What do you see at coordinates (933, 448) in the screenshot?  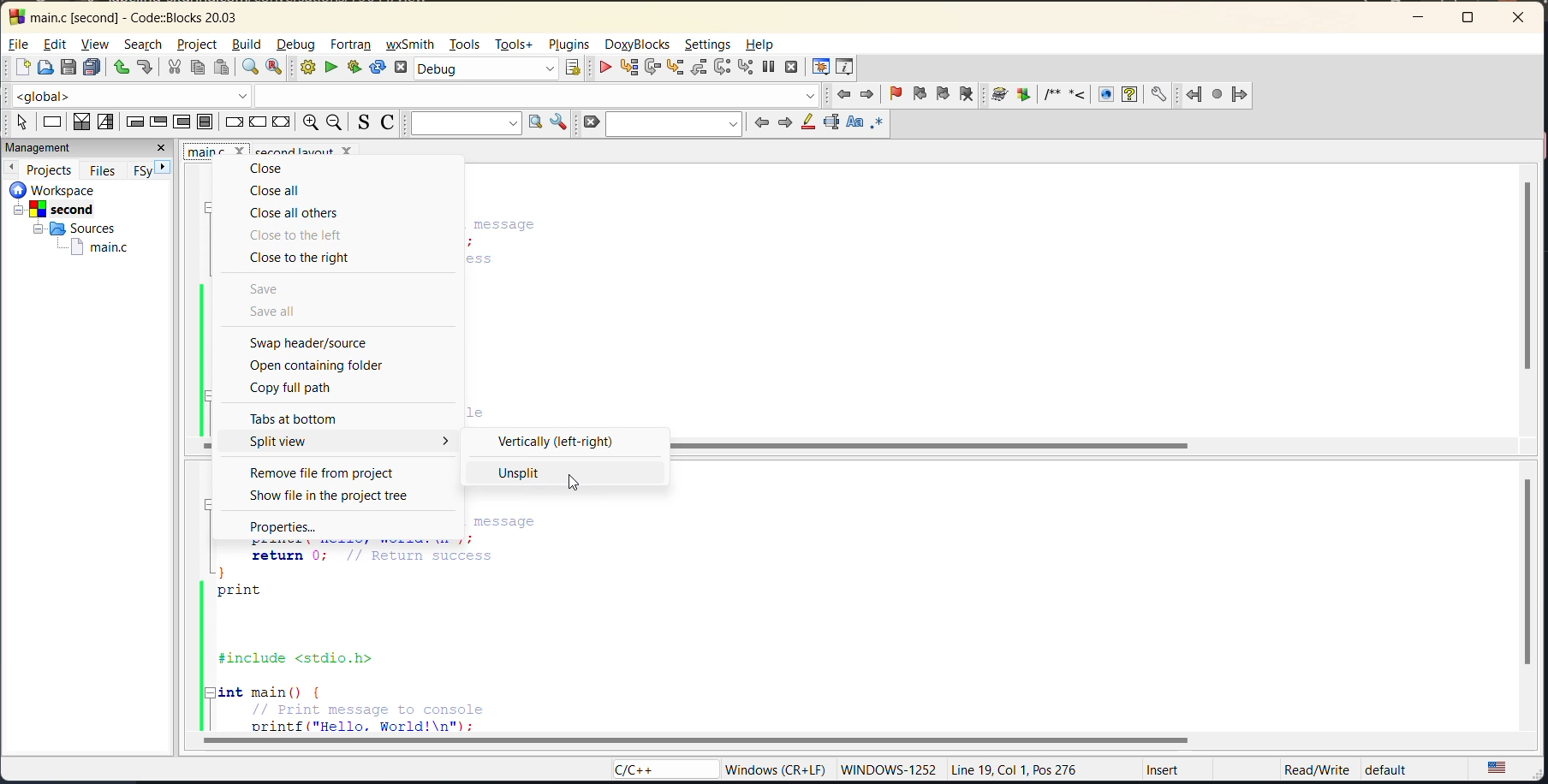 I see `scrollbar` at bounding box center [933, 448].